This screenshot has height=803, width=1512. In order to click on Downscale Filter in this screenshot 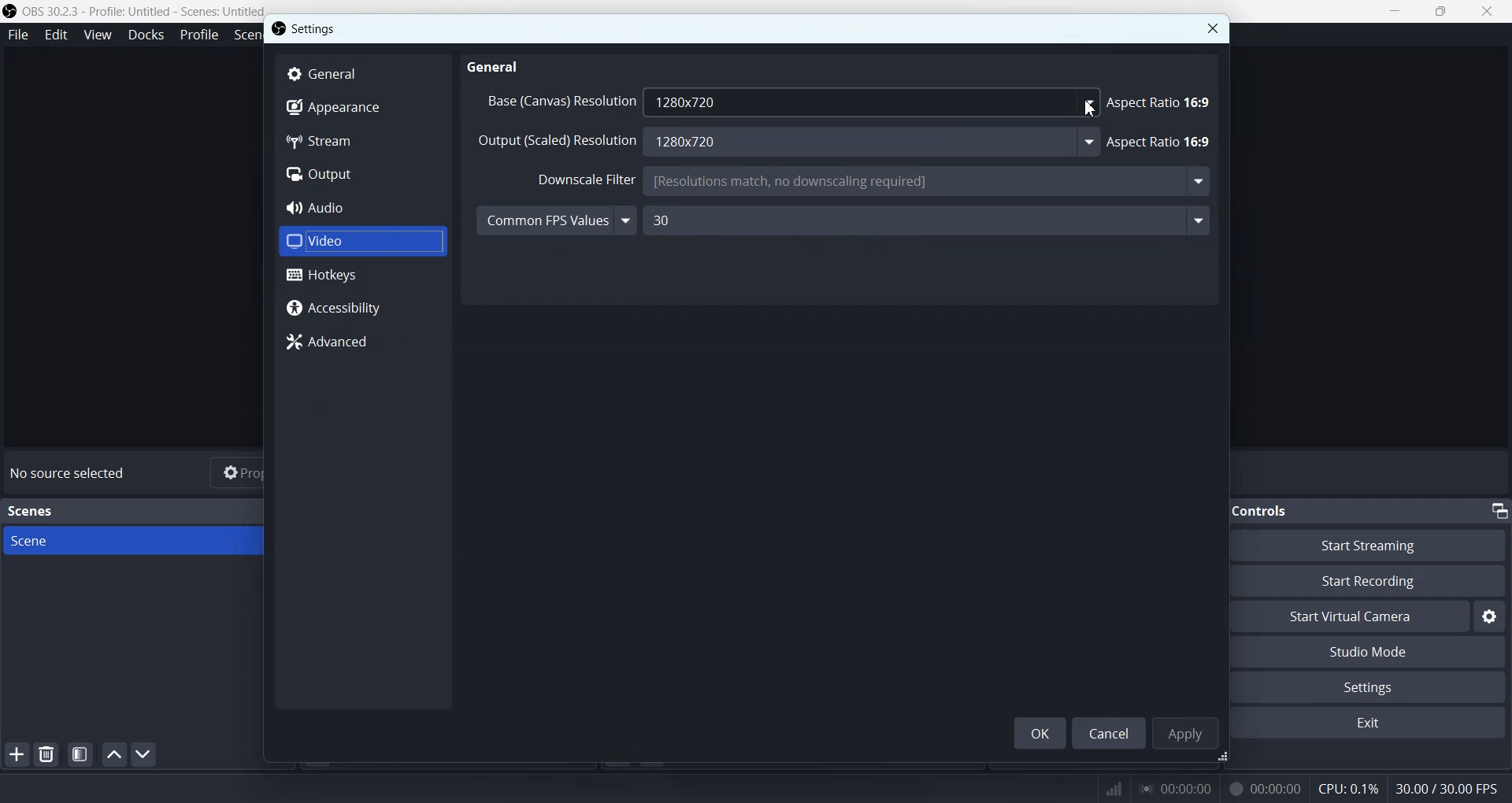, I will do `click(926, 183)`.